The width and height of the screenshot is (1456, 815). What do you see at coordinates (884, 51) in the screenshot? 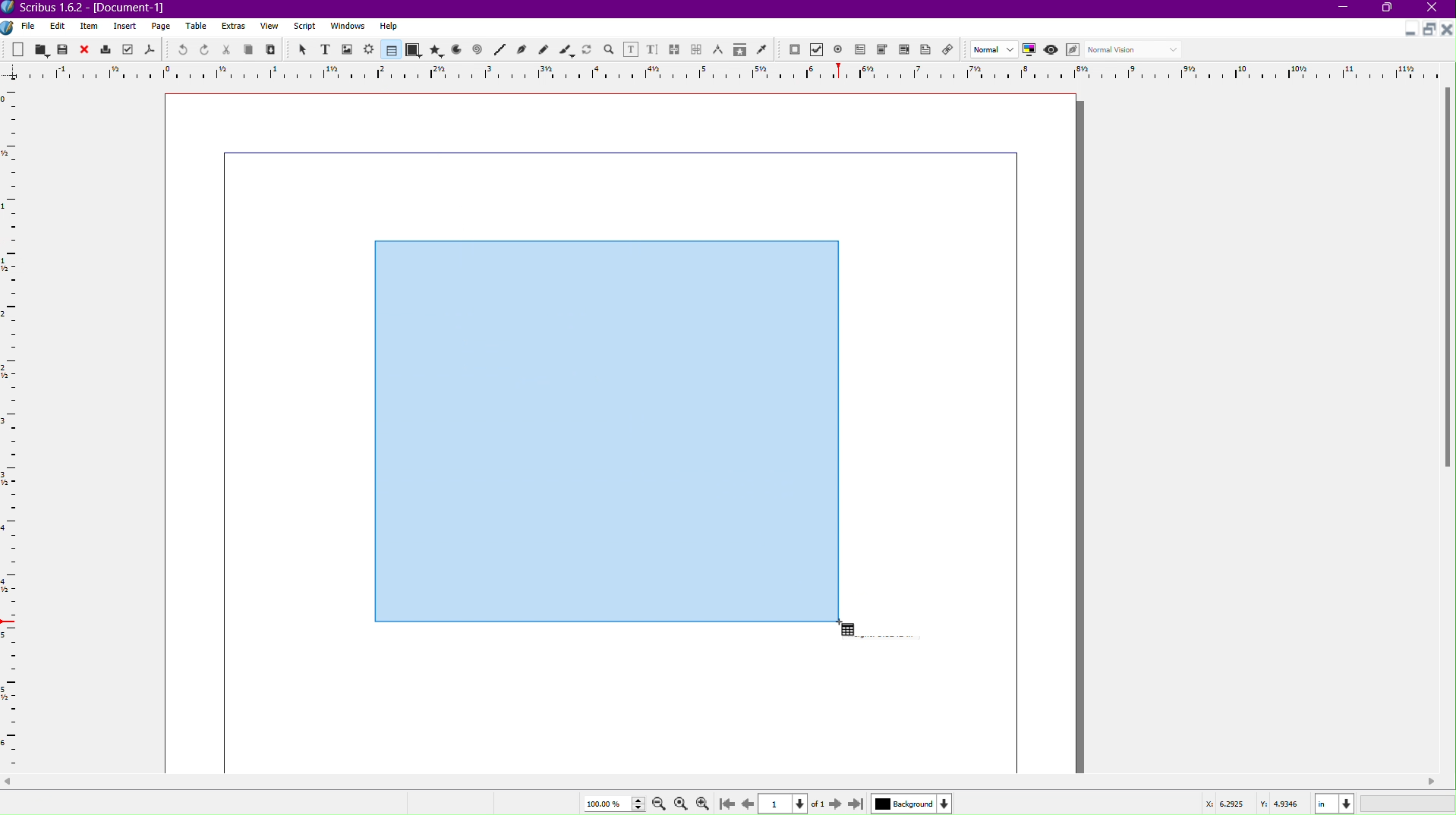
I see `PDF Combo Box` at bounding box center [884, 51].